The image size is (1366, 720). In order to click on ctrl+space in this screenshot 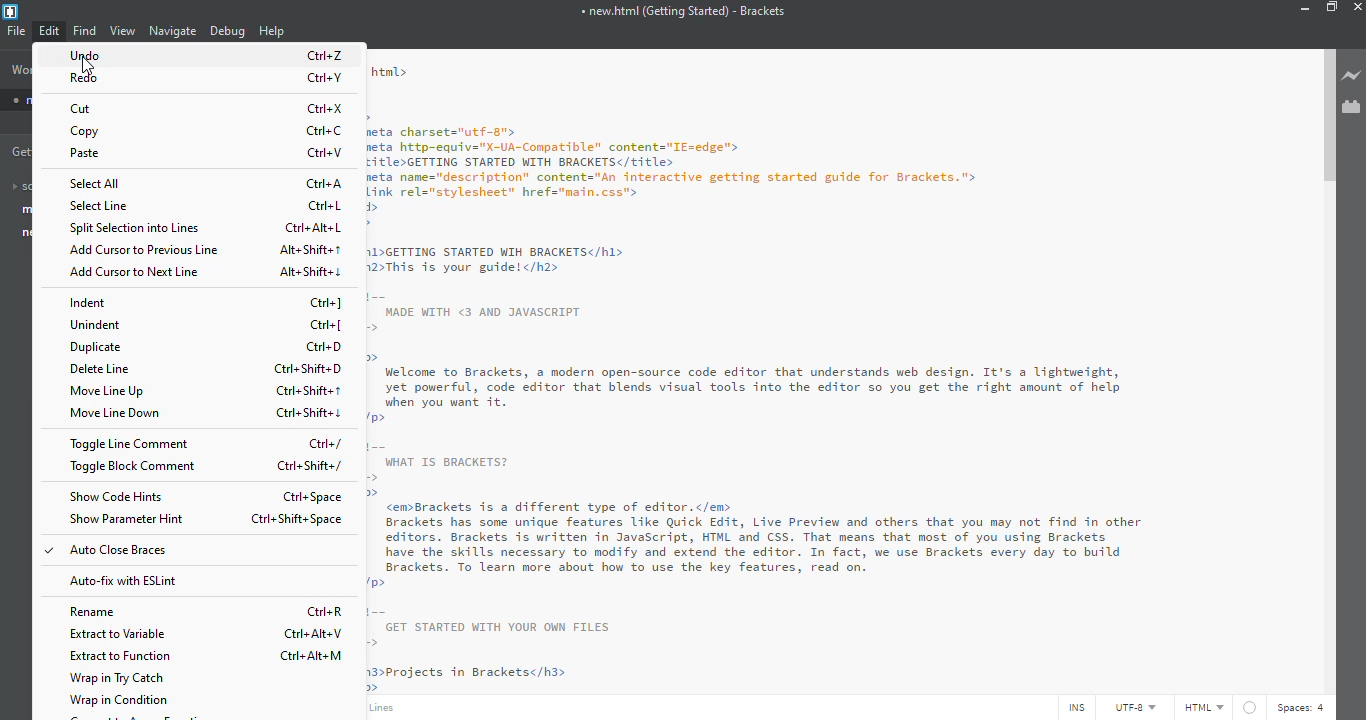, I will do `click(316, 497)`.